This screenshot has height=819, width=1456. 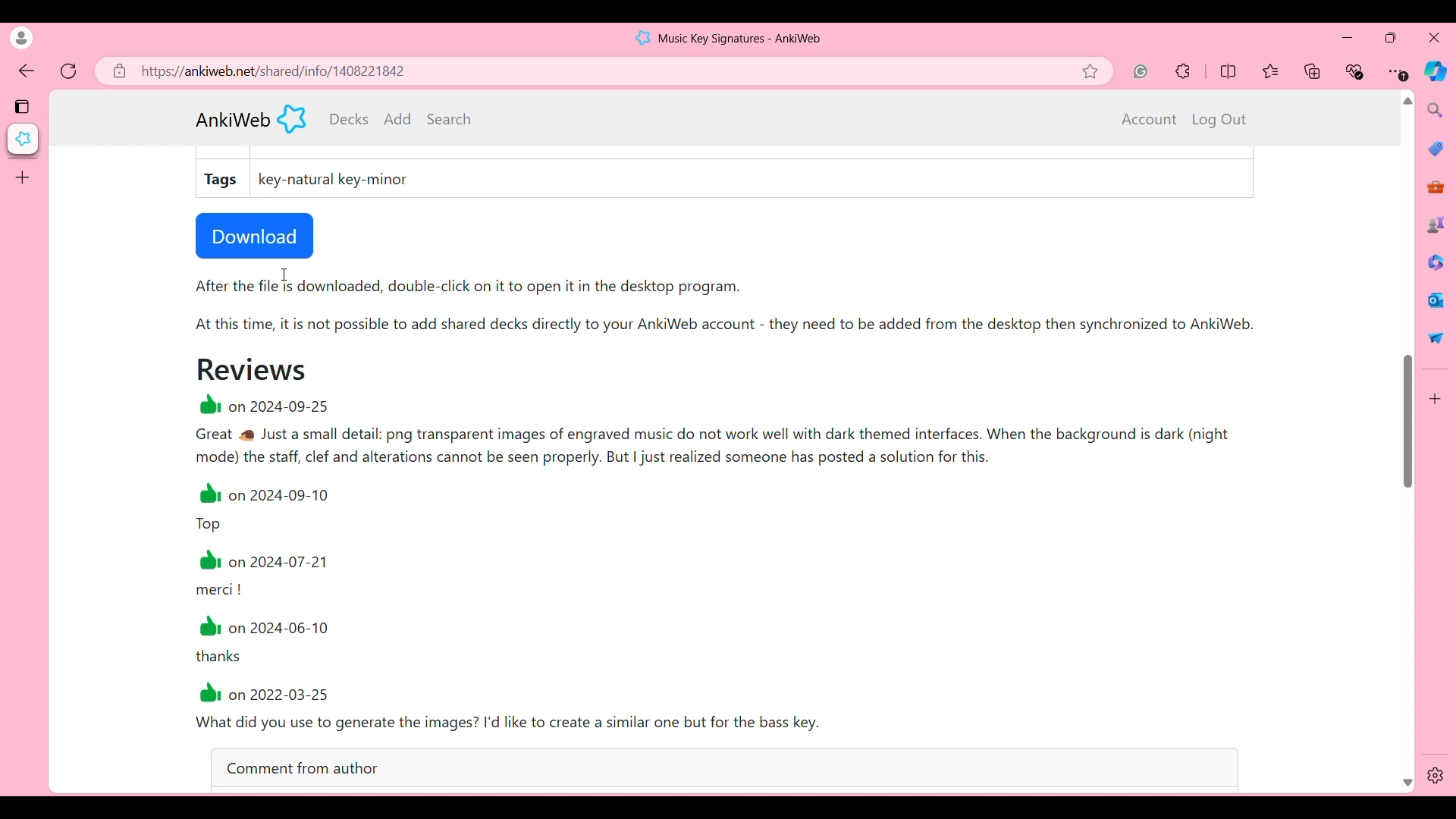 What do you see at coordinates (1398, 71) in the screenshot?
I see `Browser settings` at bounding box center [1398, 71].